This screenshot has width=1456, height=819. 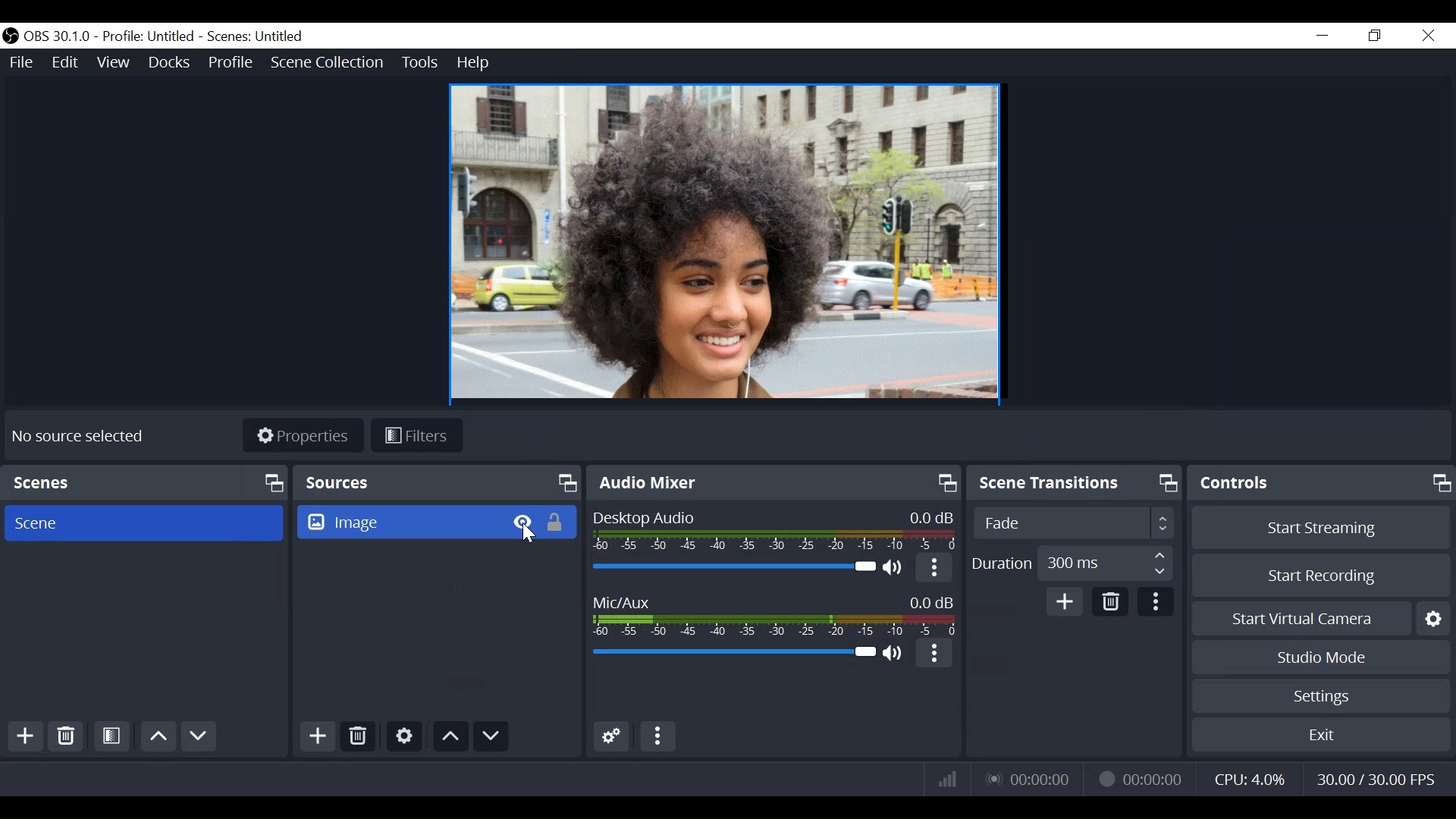 I want to click on (un)mute, so click(x=894, y=564).